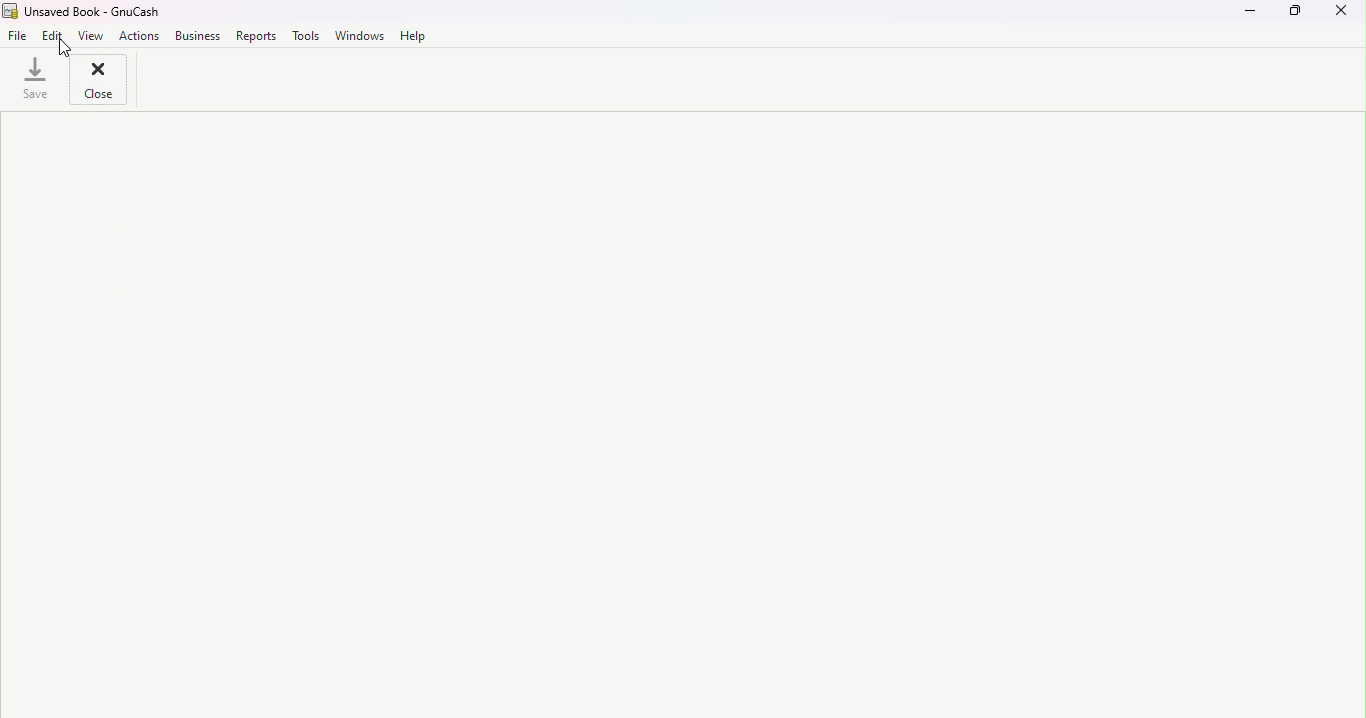  What do you see at coordinates (358, 35) in the screenshot?
I see `Windows` at bounding box center [358, 35].